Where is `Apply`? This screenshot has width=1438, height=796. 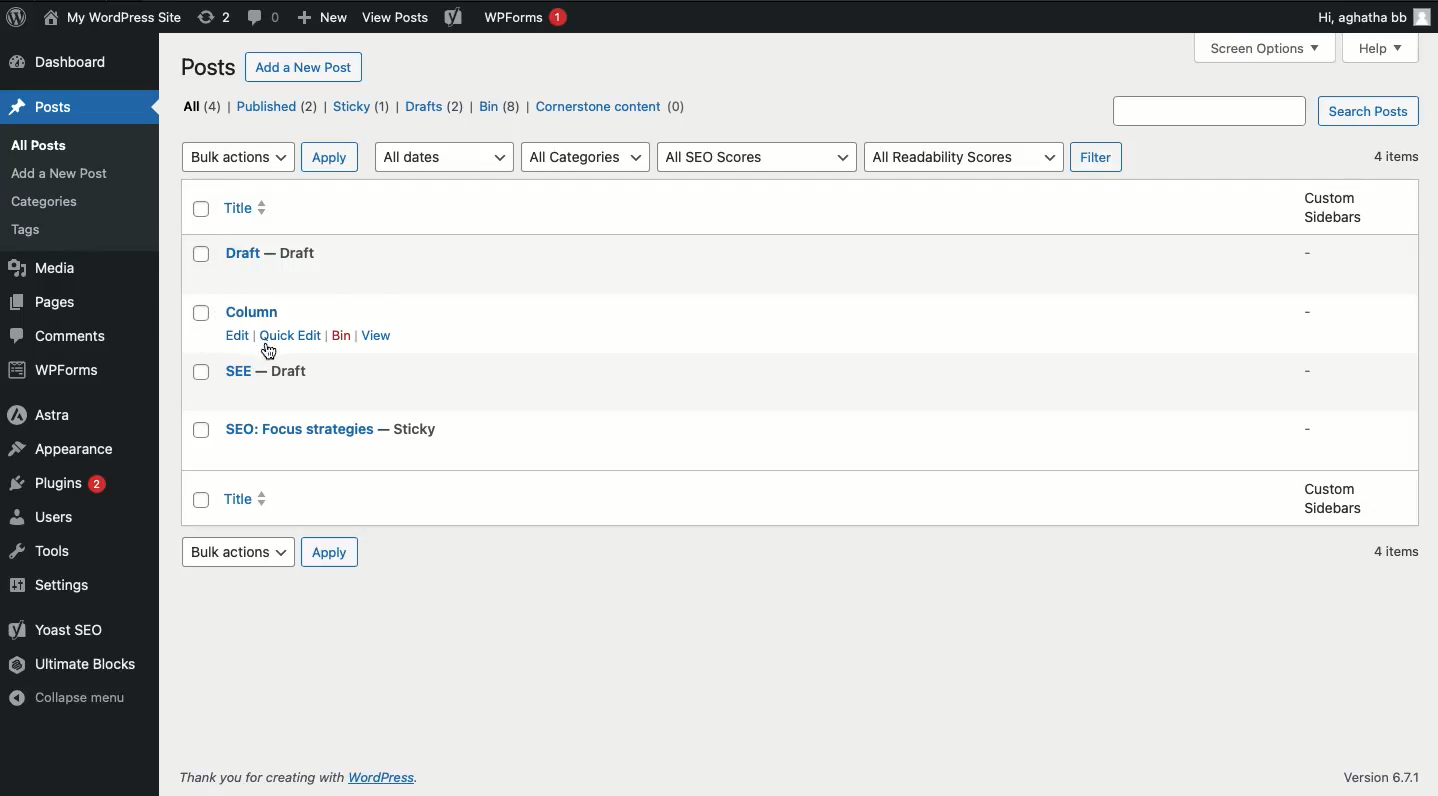 Apply is located at coordinates (332, 156).